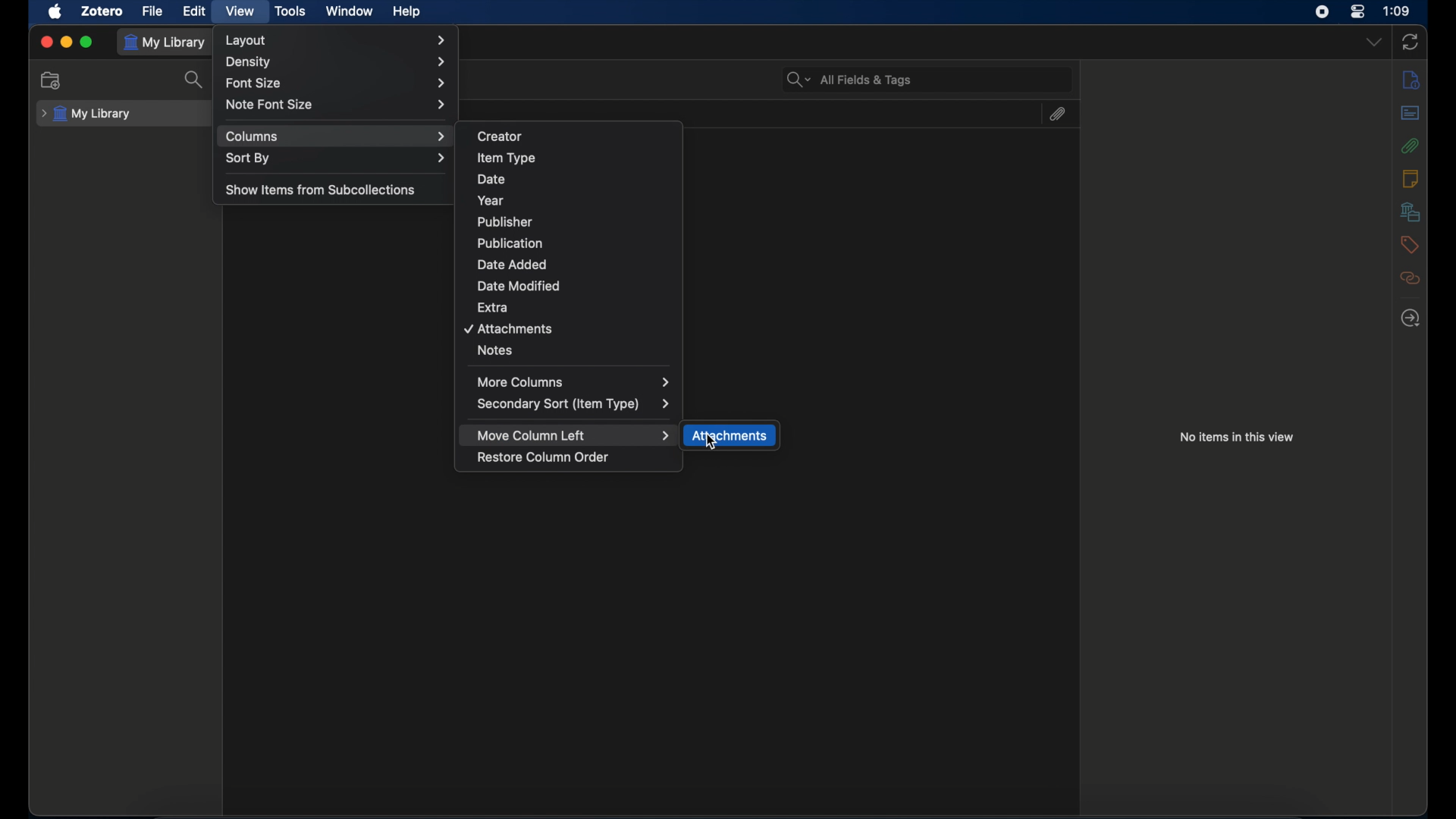  I want to click on secondary sort, so click(574, 404).